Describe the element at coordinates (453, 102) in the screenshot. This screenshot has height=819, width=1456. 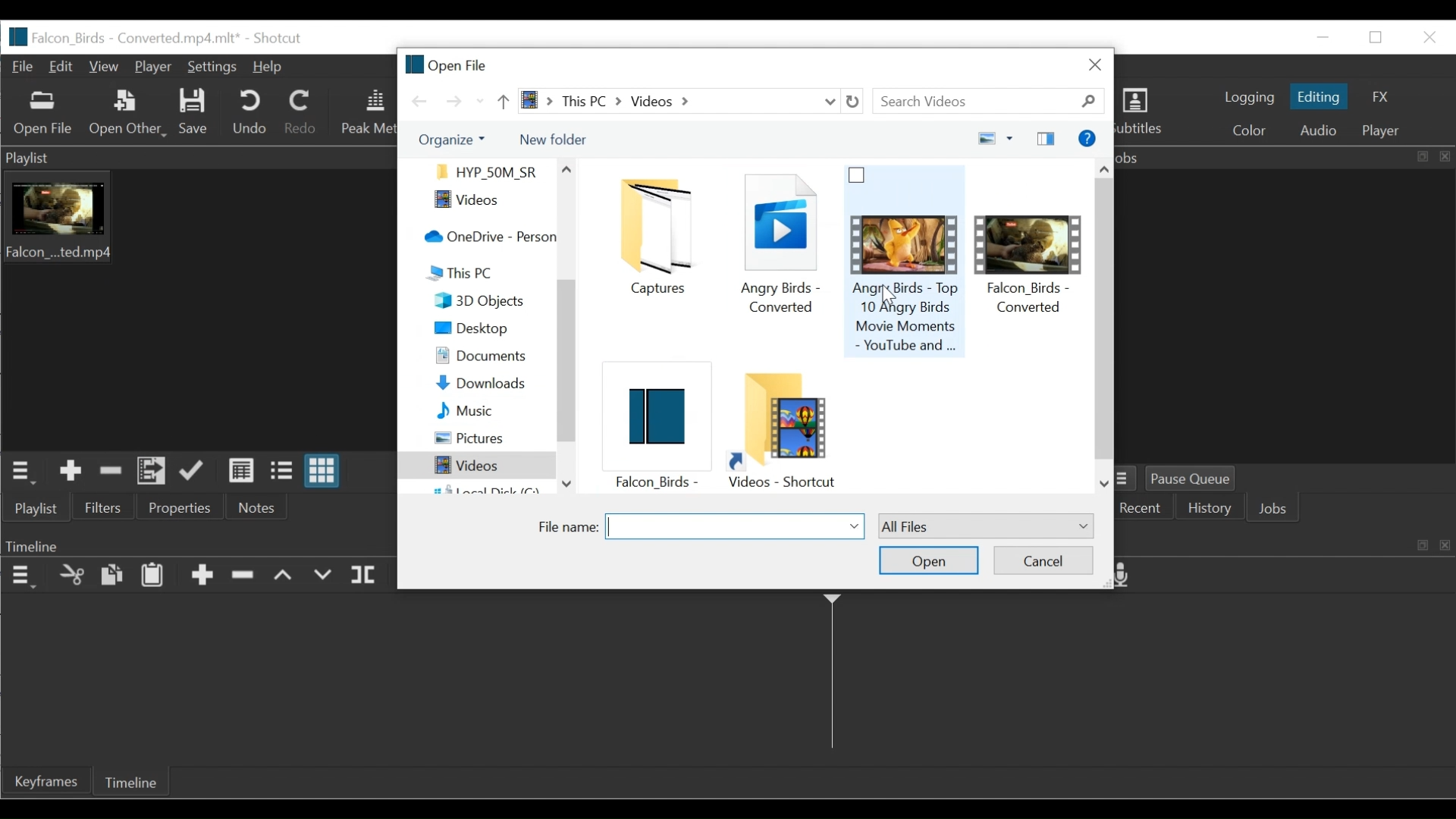
I see `Go forward` at that location.